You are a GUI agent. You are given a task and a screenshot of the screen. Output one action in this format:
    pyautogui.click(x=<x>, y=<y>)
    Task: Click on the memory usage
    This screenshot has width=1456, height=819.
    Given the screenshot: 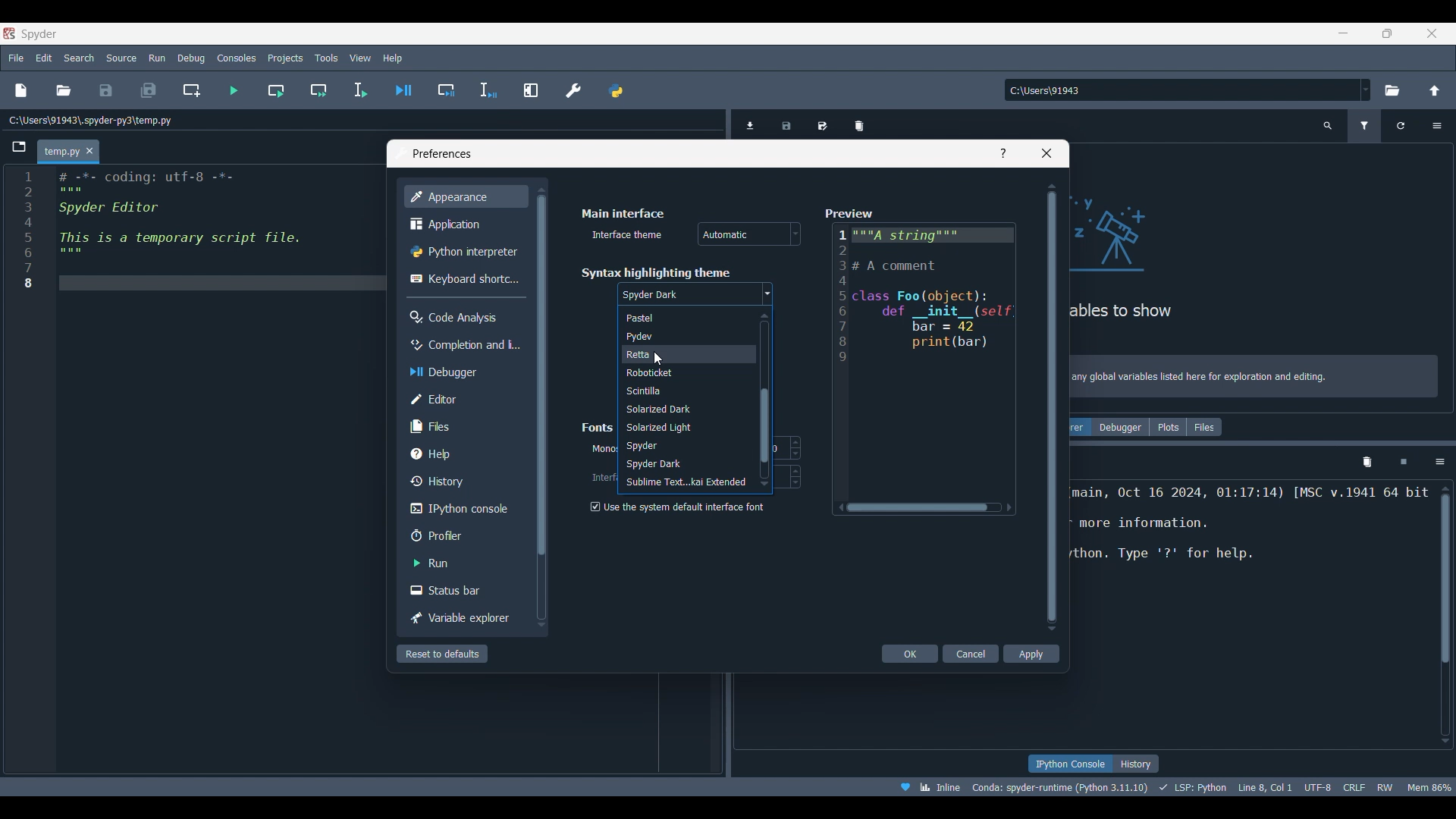 What is the action you would take?
    pyautogui.click(x=1429, y=786)
    